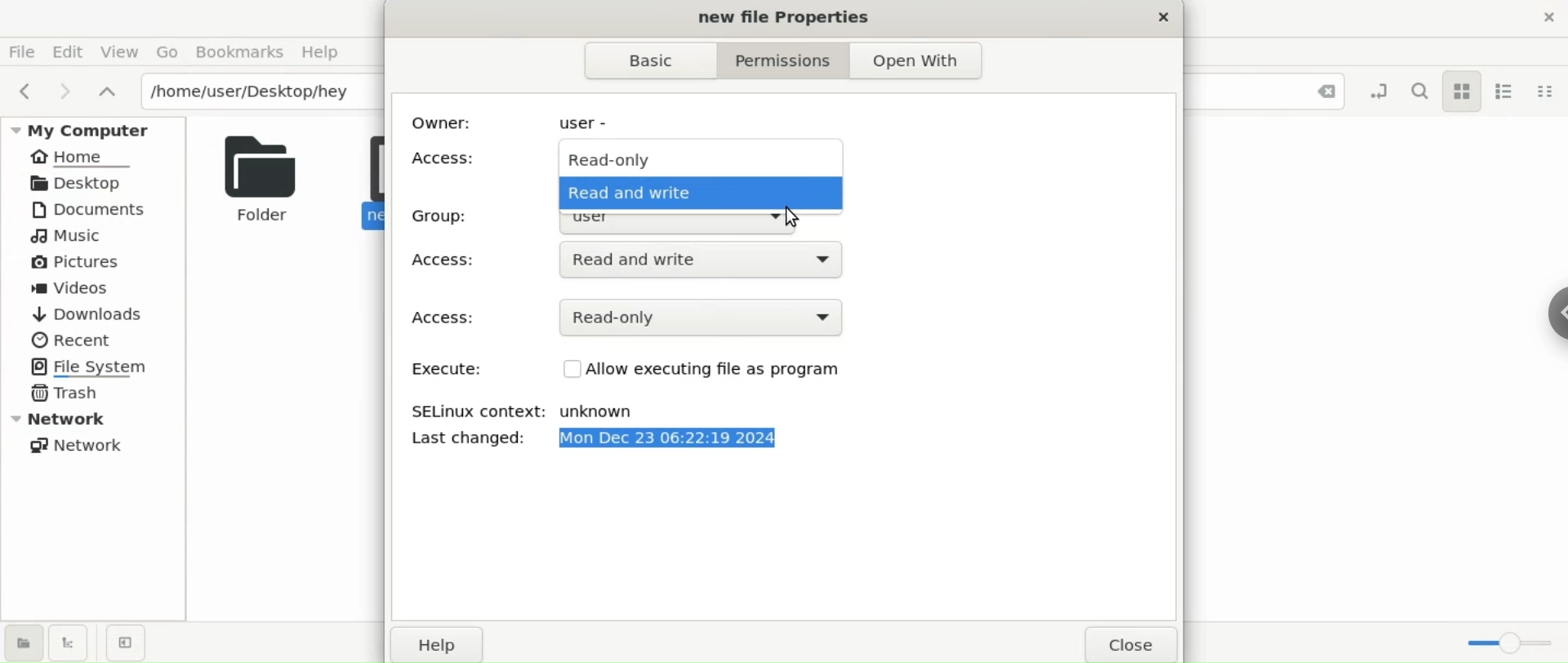  What do you see at coordinates (1423, 89) in the screenshot?
I see `search` at bounding box center [1423, 89].